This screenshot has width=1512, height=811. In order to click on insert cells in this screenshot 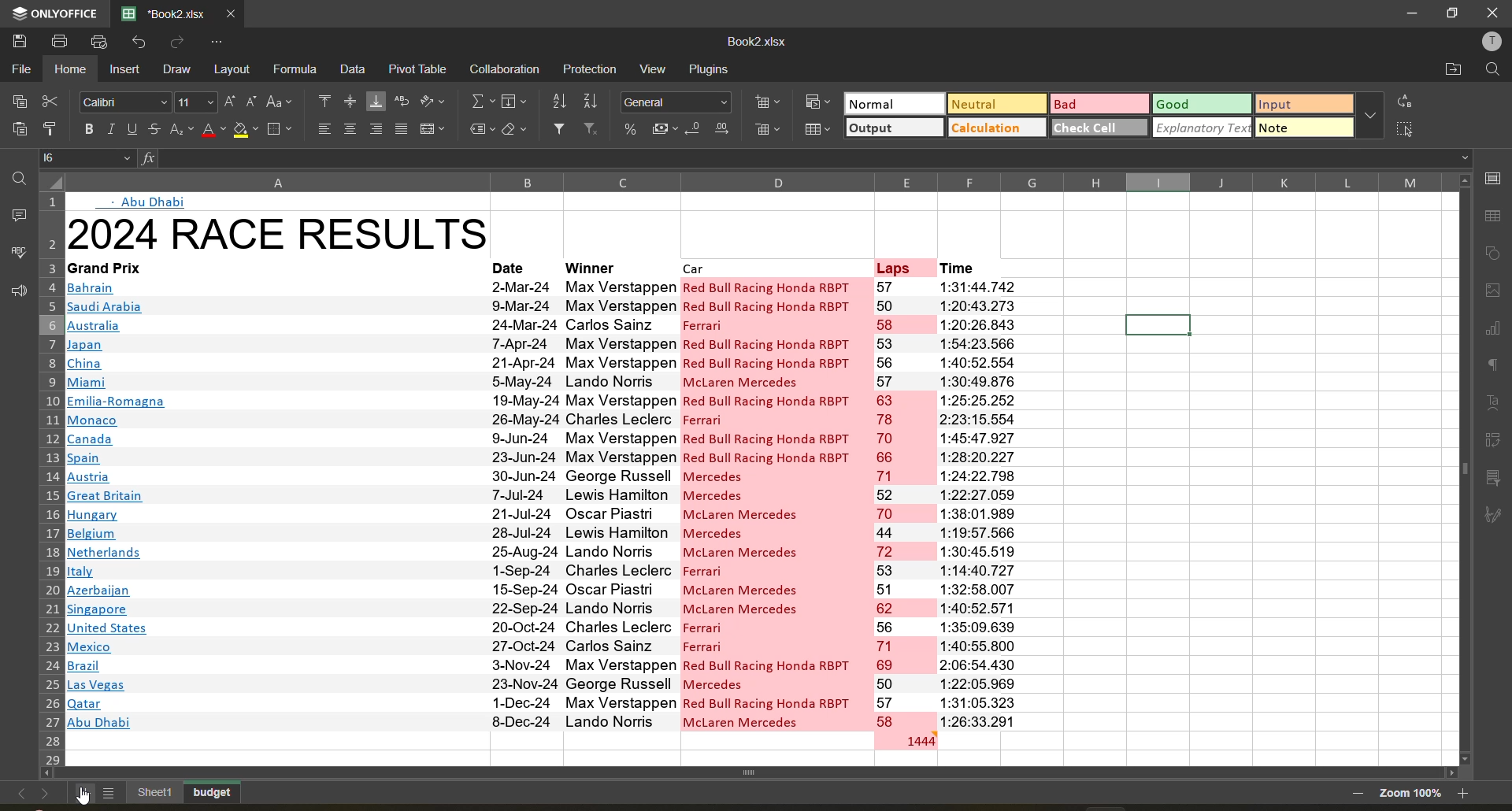, I will do `click(769, 102)`.